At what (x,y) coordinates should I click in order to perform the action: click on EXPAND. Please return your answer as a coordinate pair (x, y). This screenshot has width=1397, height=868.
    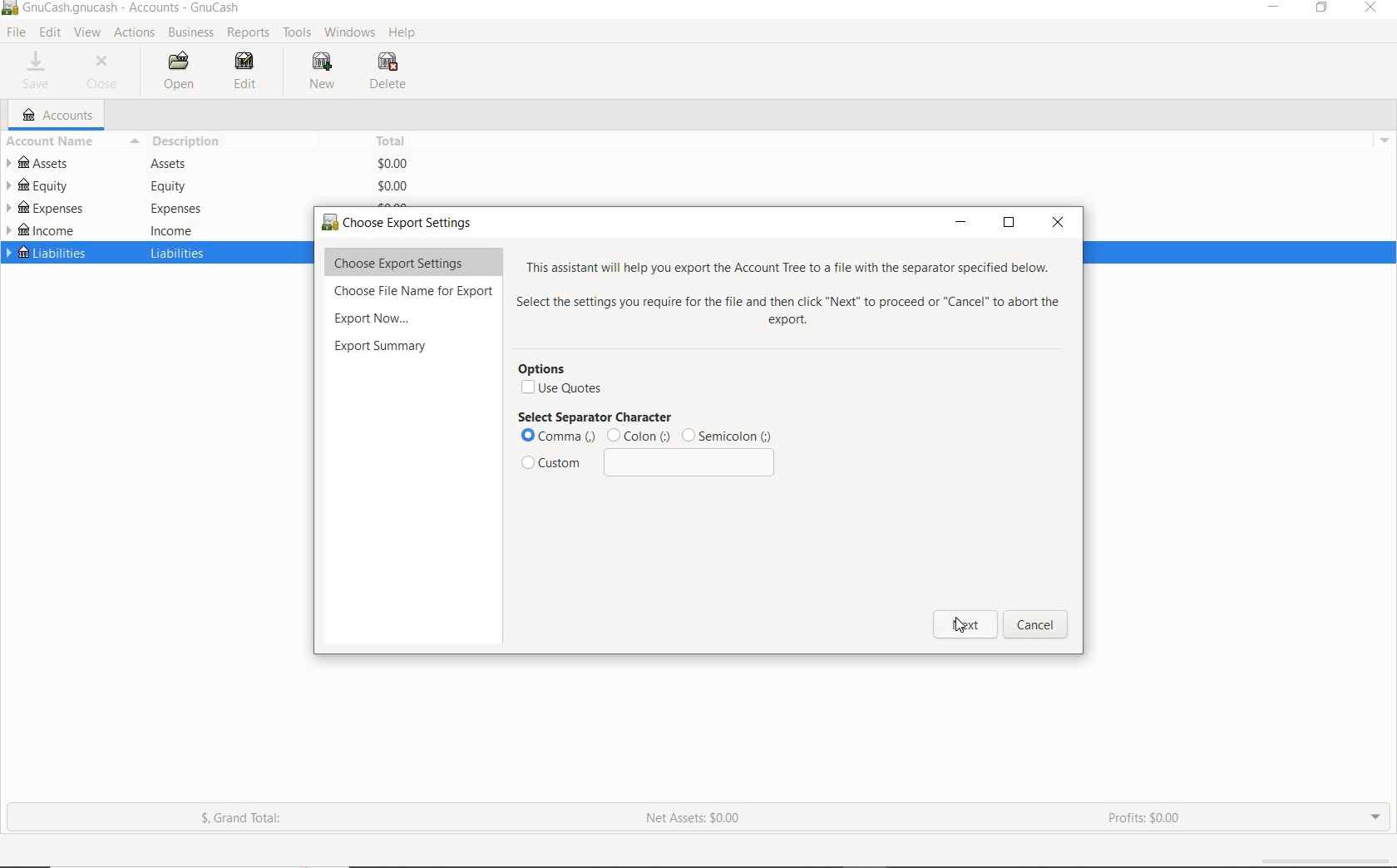
    Looking at the image, I should click on (1373, 819).